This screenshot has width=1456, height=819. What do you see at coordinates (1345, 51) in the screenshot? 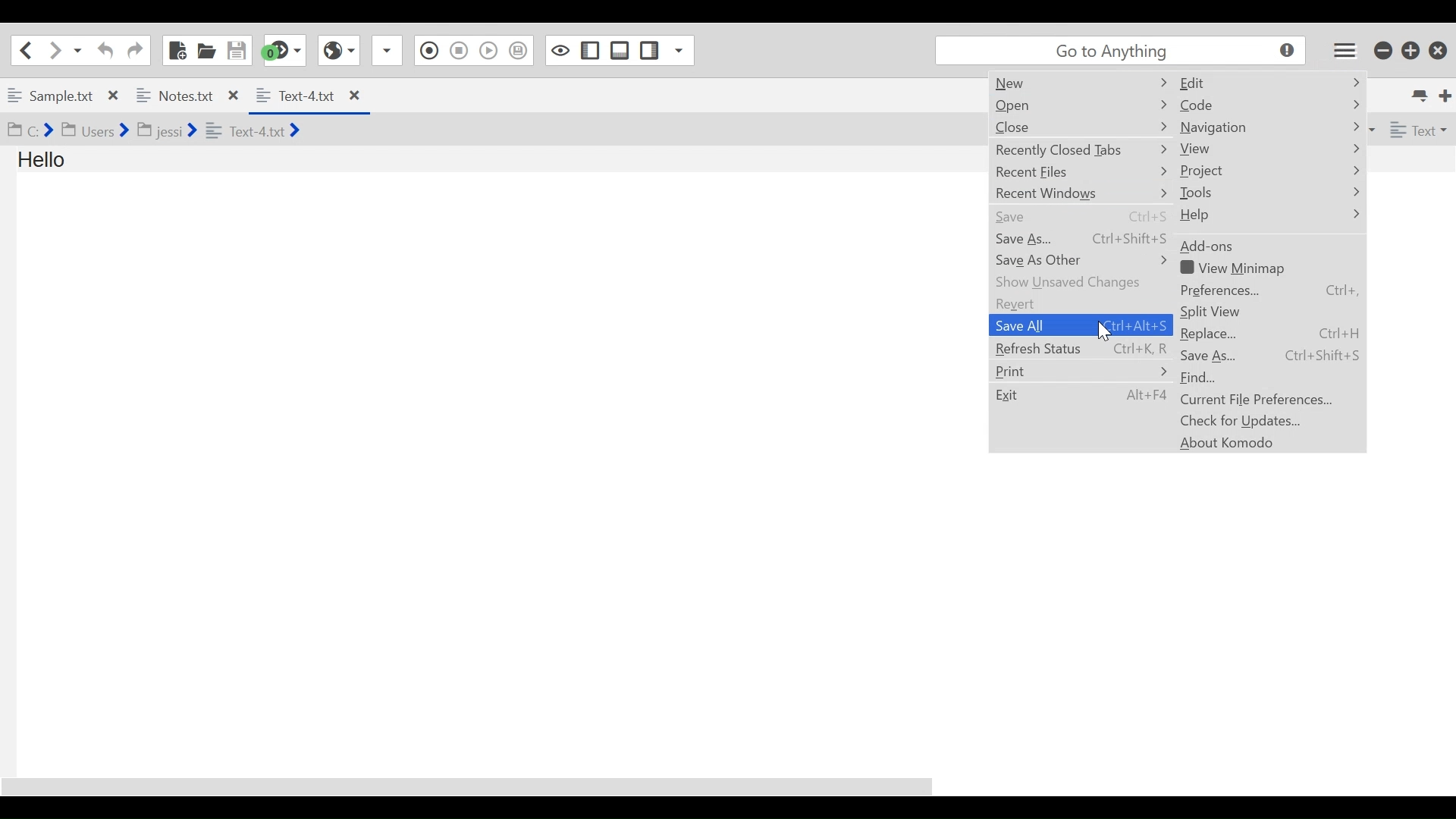
I see `Application menu` at bounding box center [1345, 51].